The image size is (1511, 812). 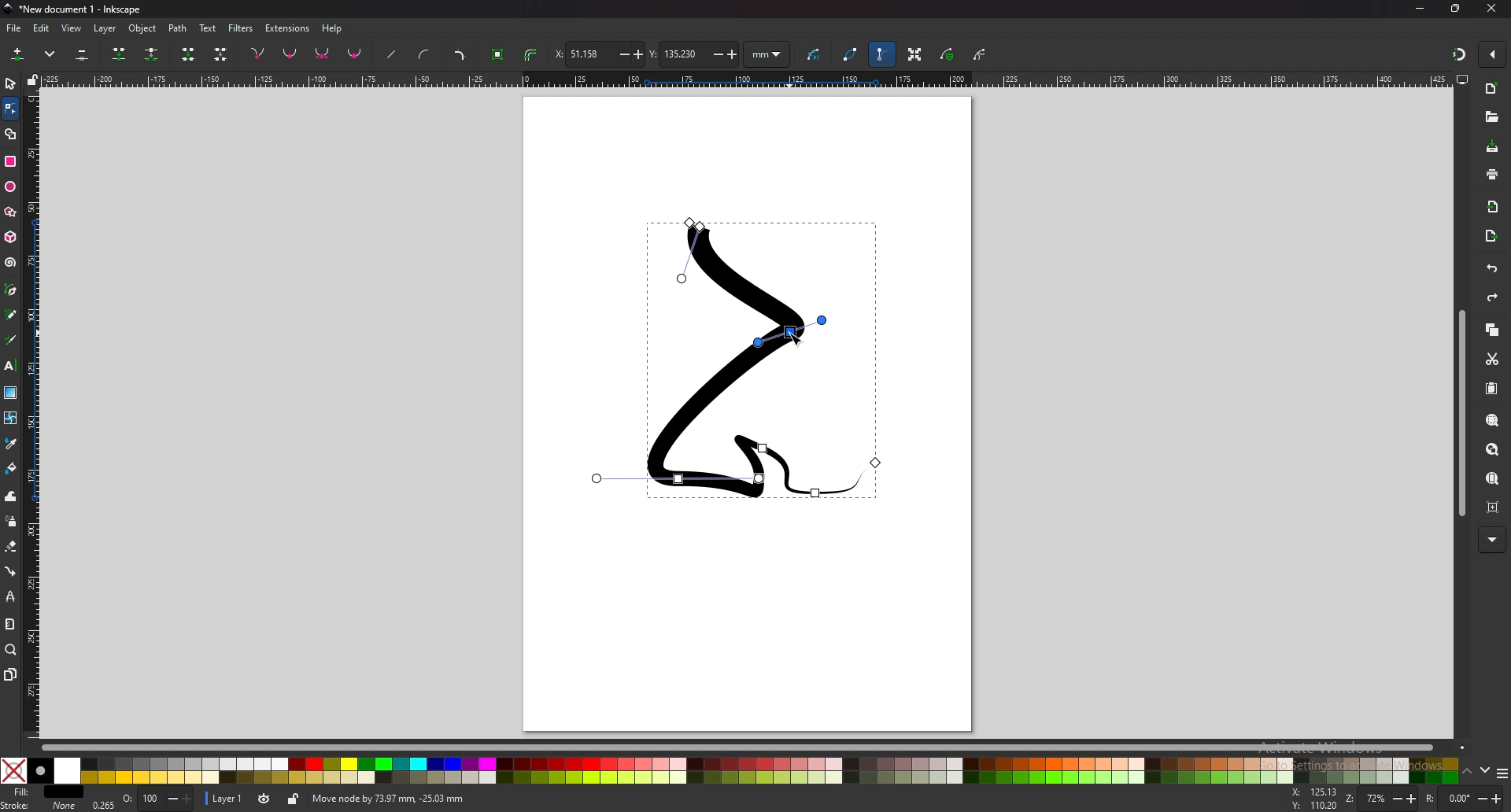 What do you see at coordinates (1490, 299) in the screenshot?
I see `redo` at bounding box center [1490, 299].